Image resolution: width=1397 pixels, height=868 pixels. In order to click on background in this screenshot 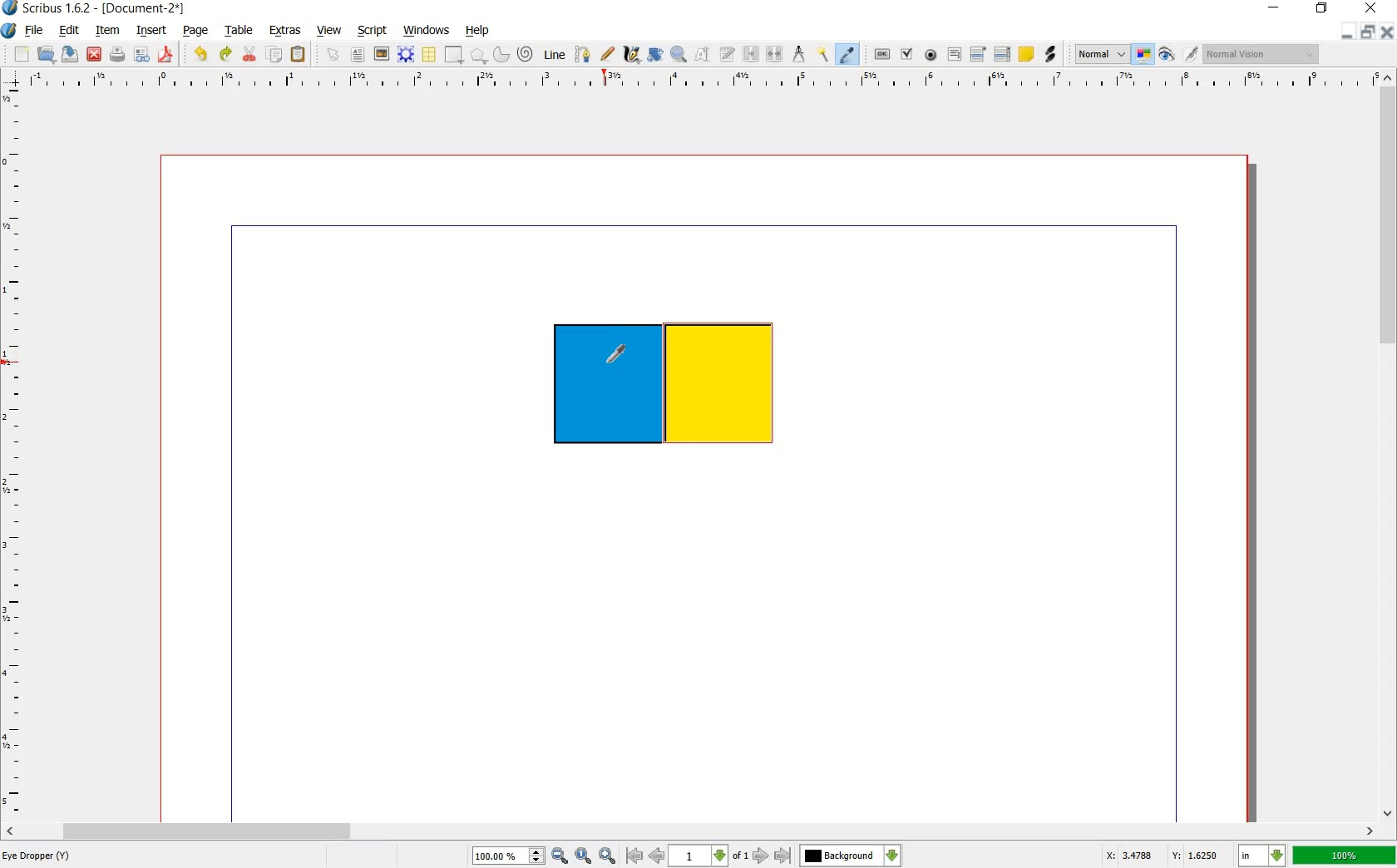, I will do `click(852, 855)`.